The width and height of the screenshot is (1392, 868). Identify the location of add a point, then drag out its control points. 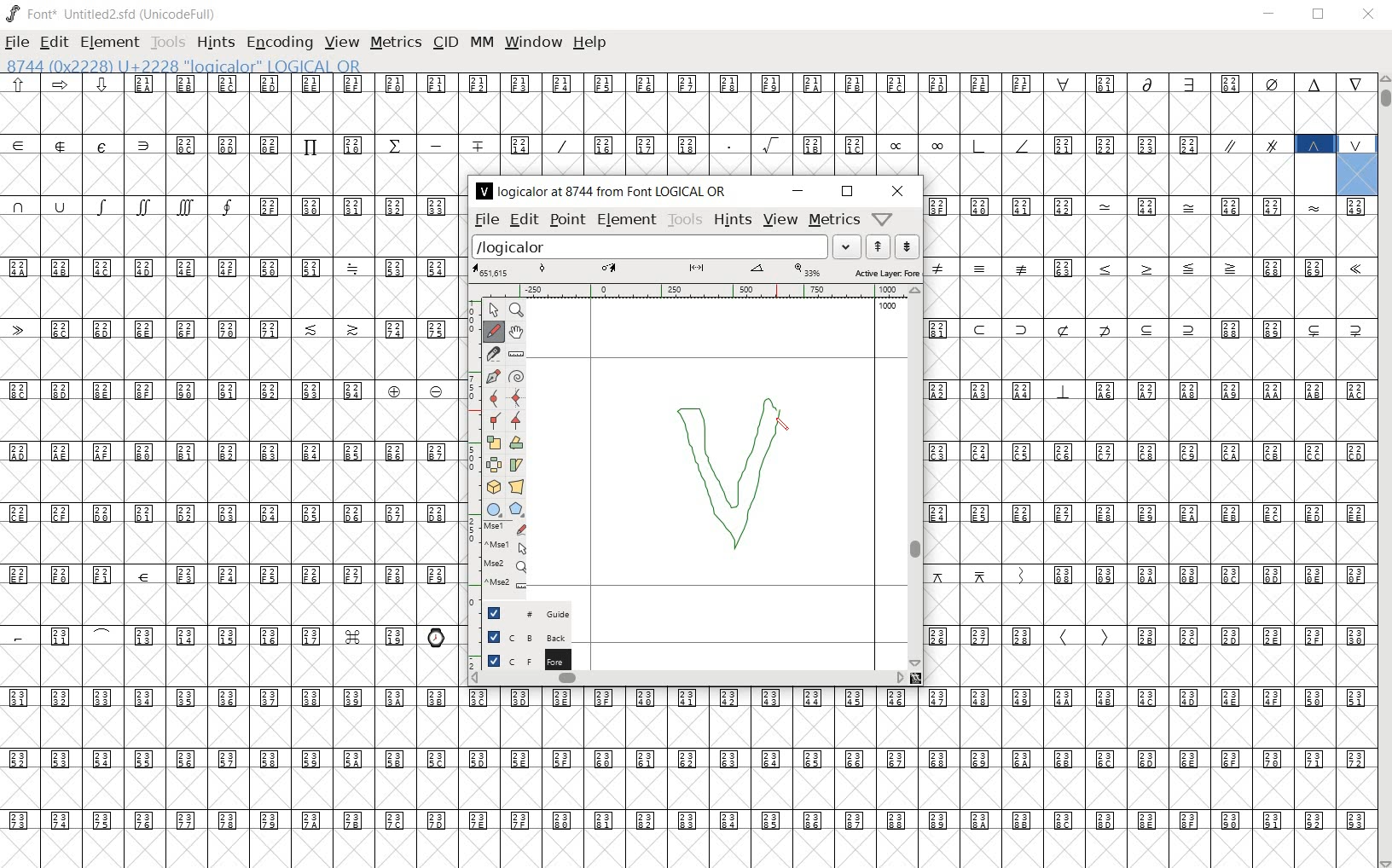
(492, 374).